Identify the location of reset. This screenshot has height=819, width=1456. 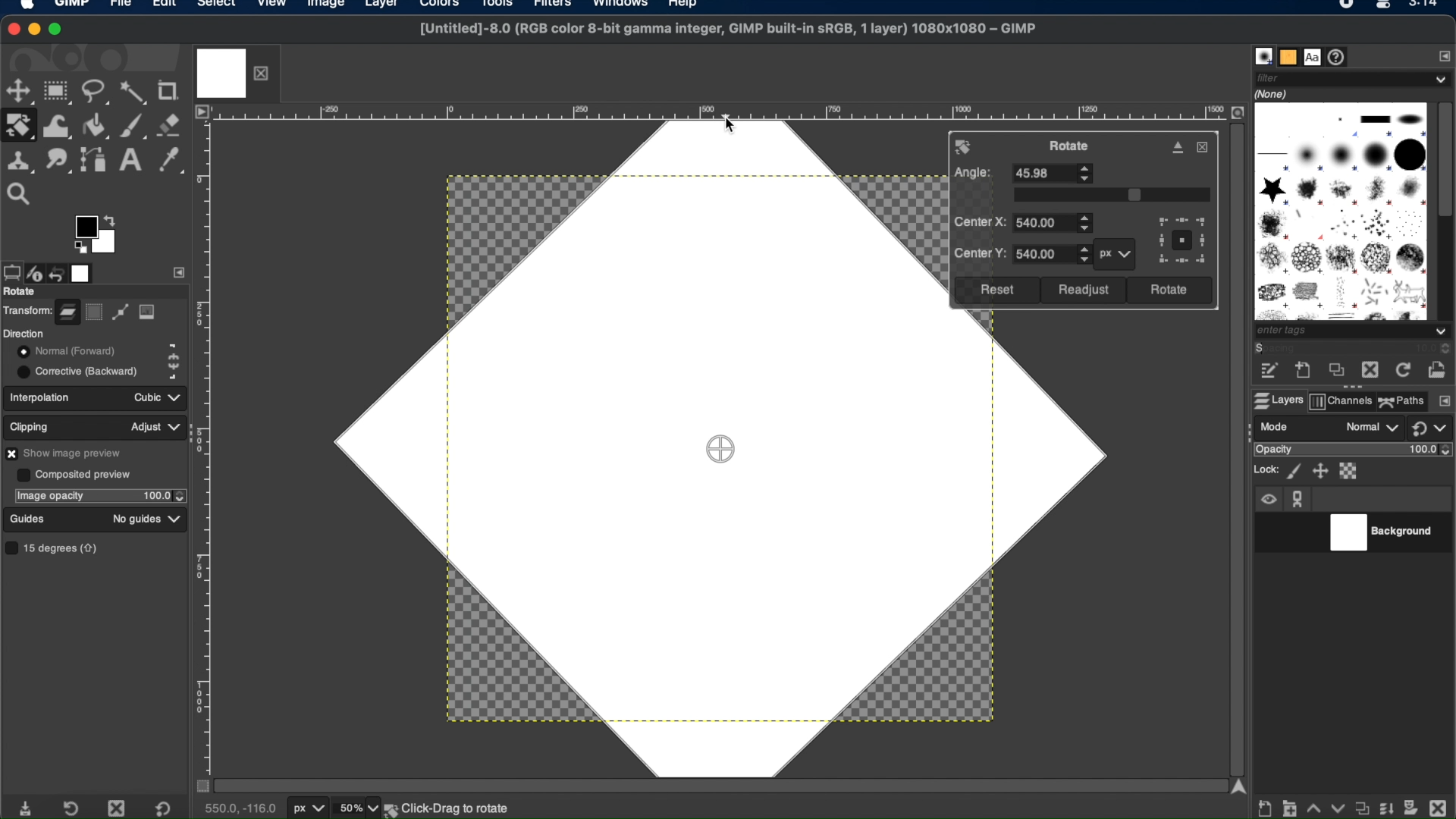
(996, 290).